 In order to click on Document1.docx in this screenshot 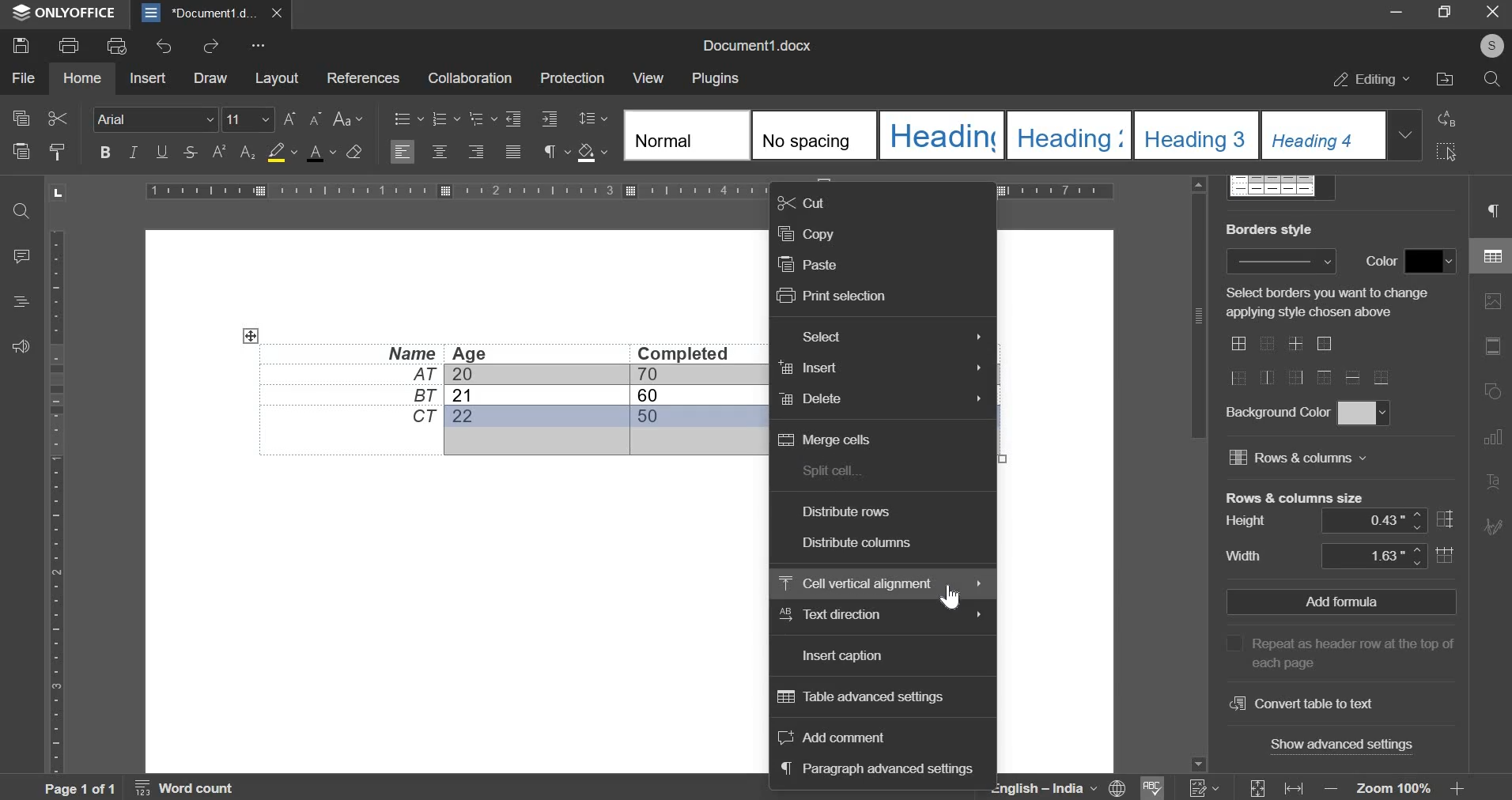, I will do `click(758, 46)`.